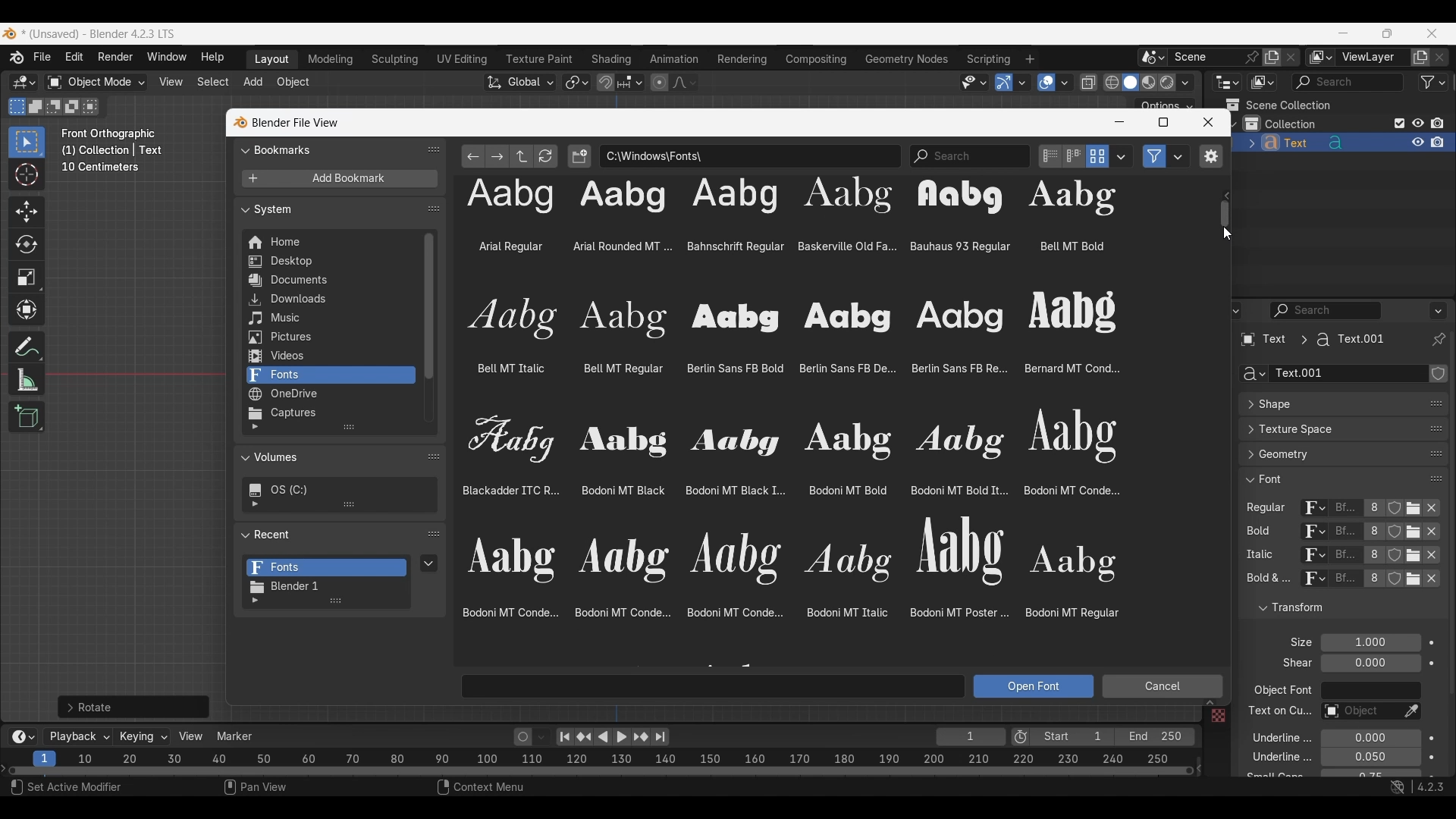  What do you see at coordinates (565, 737) in the screenshot?
I see `Jump to endpoint` at bounding box center [565, 737].